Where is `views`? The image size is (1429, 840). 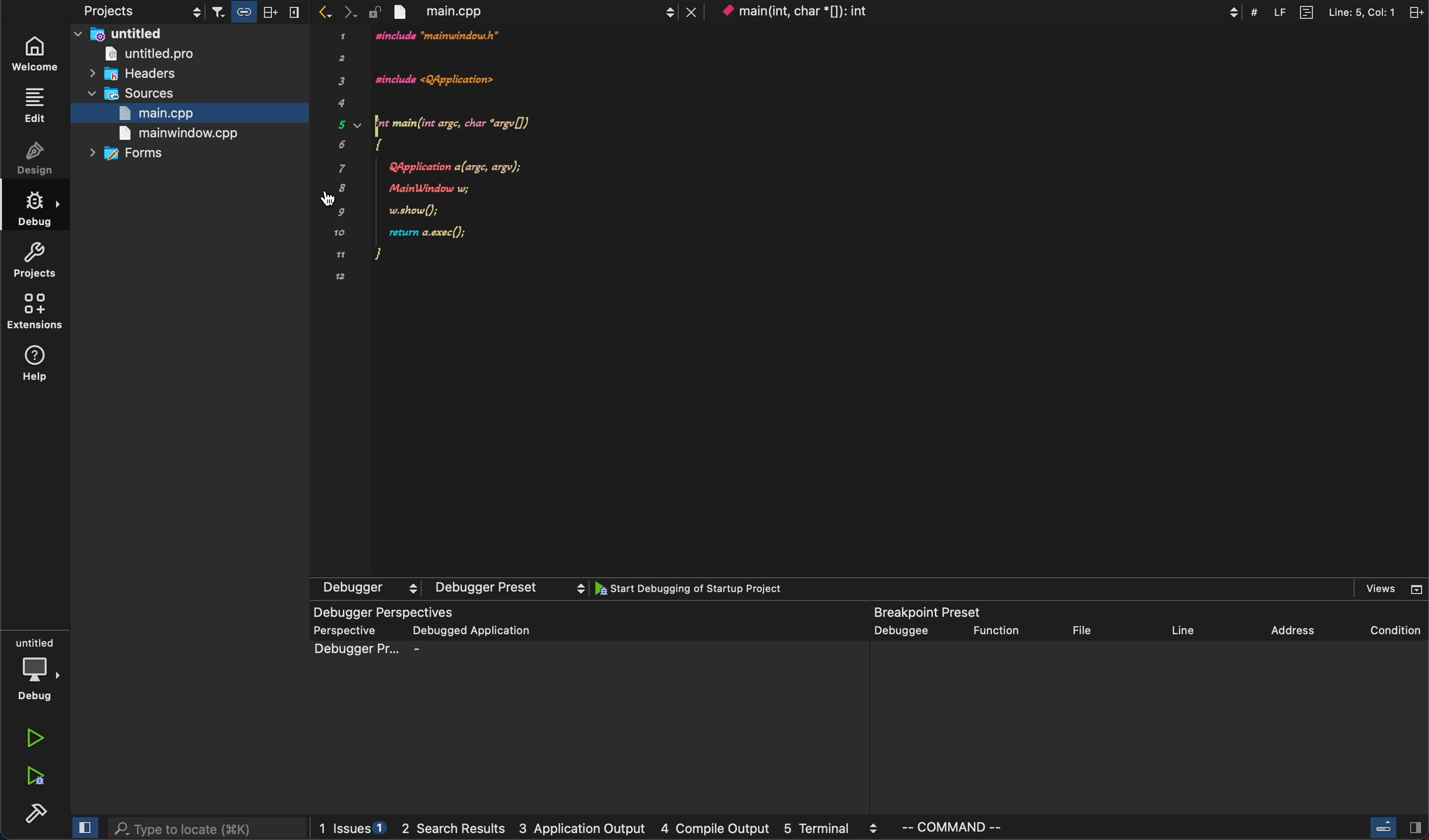 views is located at coordinates (1383, 590).